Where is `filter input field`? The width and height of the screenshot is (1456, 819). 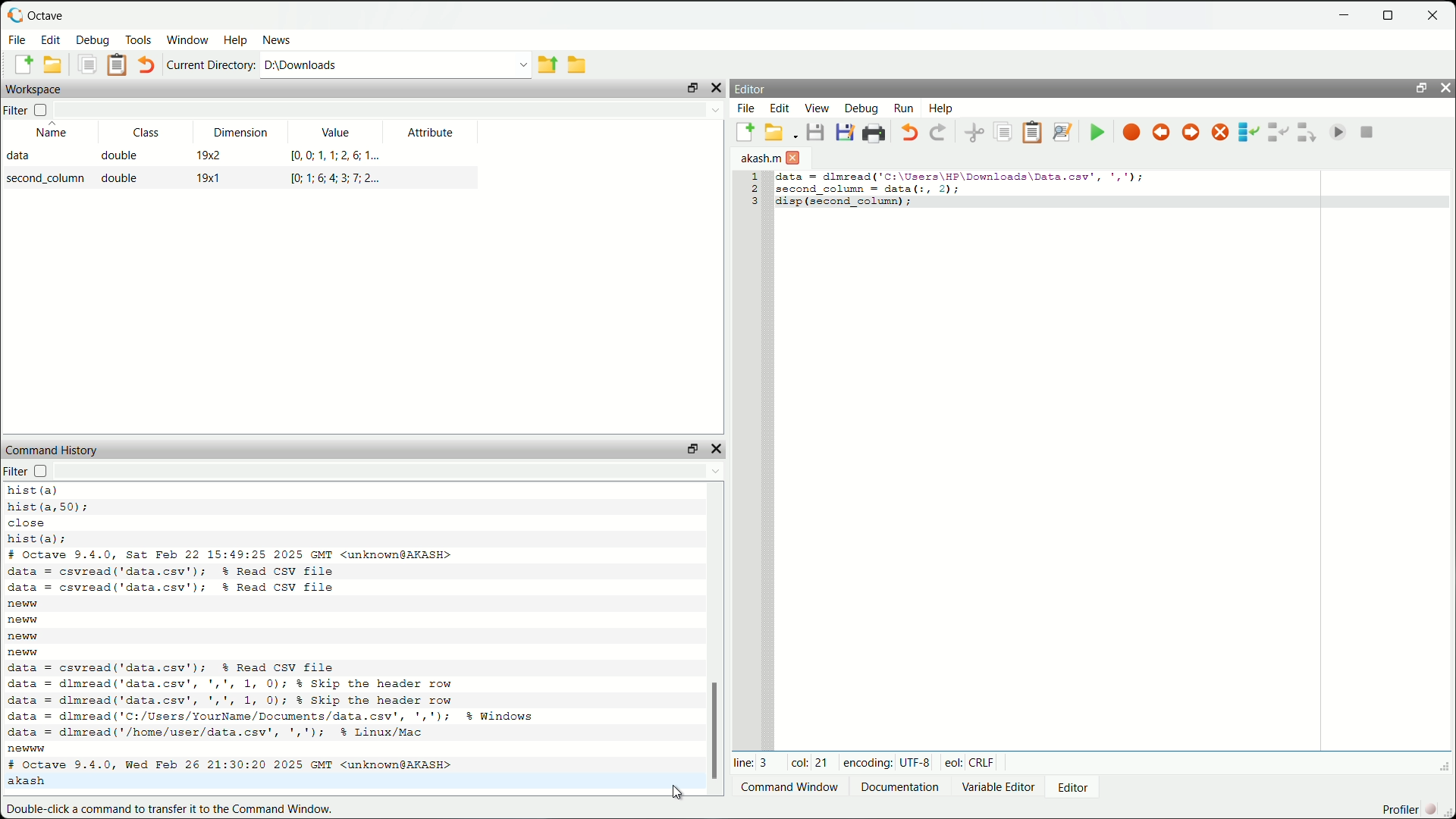 filter input field is located at coordinates (397, 472).